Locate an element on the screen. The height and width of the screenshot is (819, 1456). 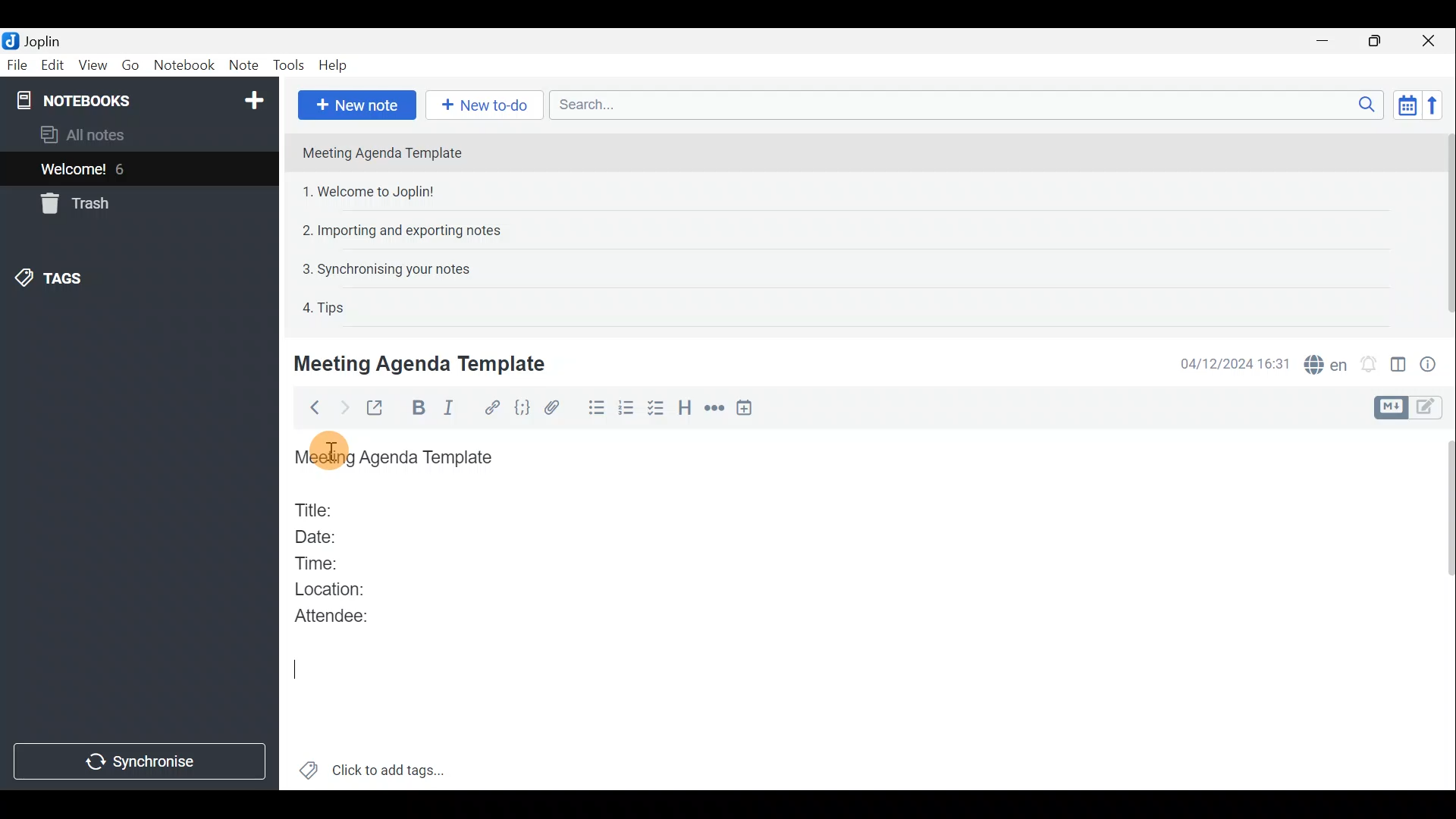
Title: is located at coordinates (316, 507).